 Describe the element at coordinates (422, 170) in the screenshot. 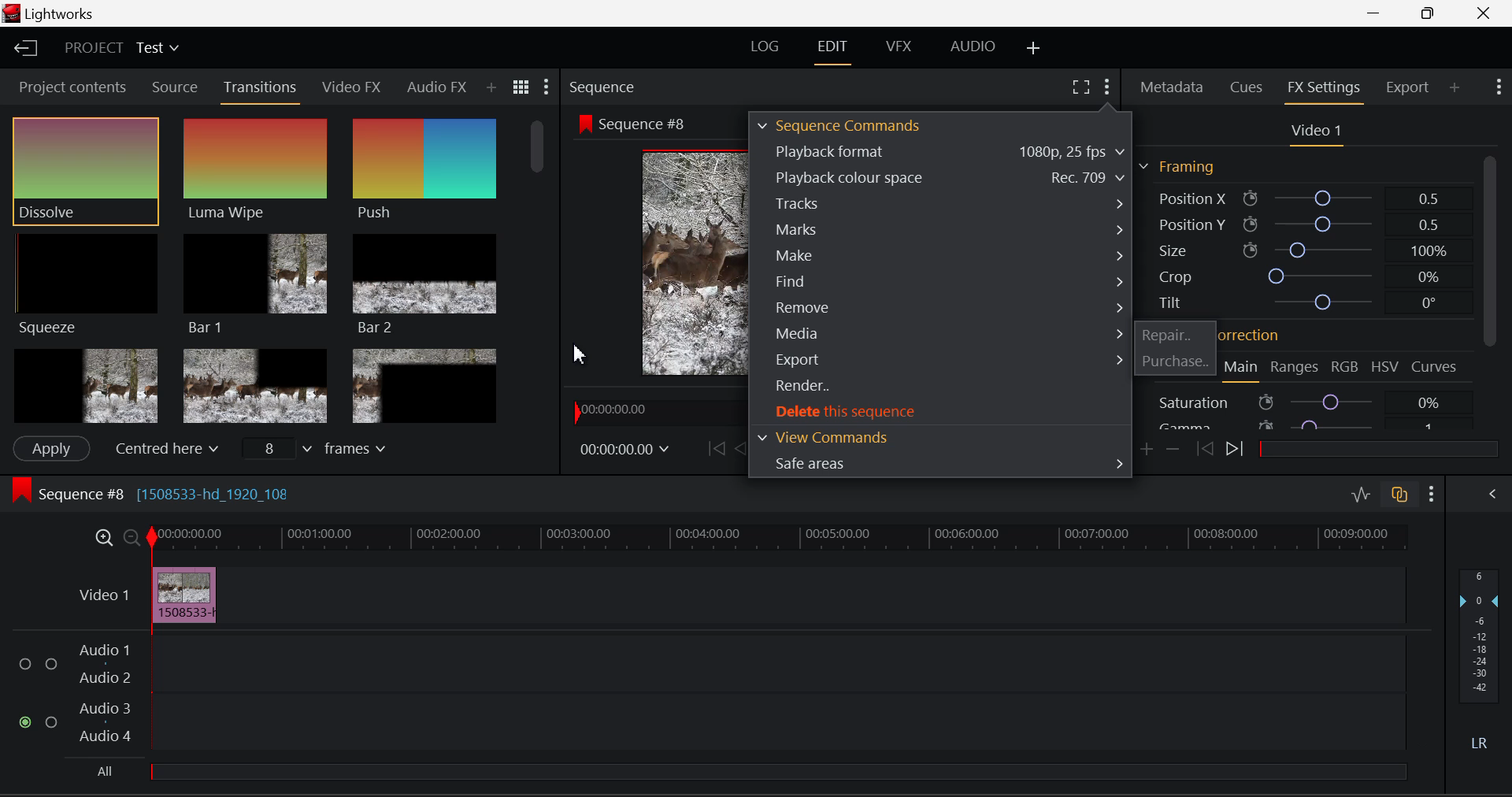

I see `Push` at that location.